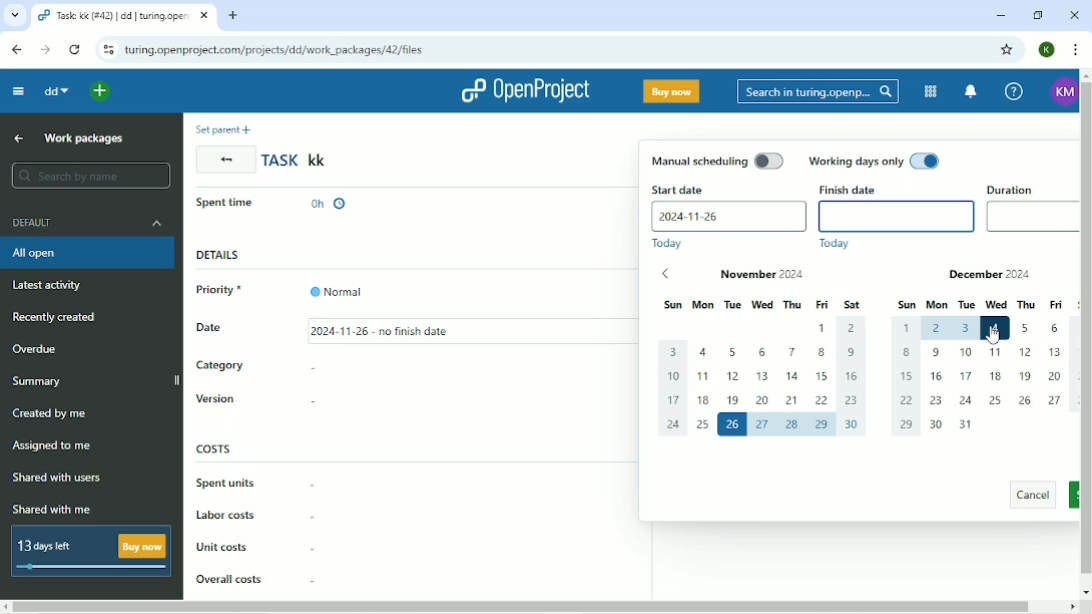  What do you see at coordinates (999, 334) in the screenshot?
I see `cursor` at bounding box center [999, 334].